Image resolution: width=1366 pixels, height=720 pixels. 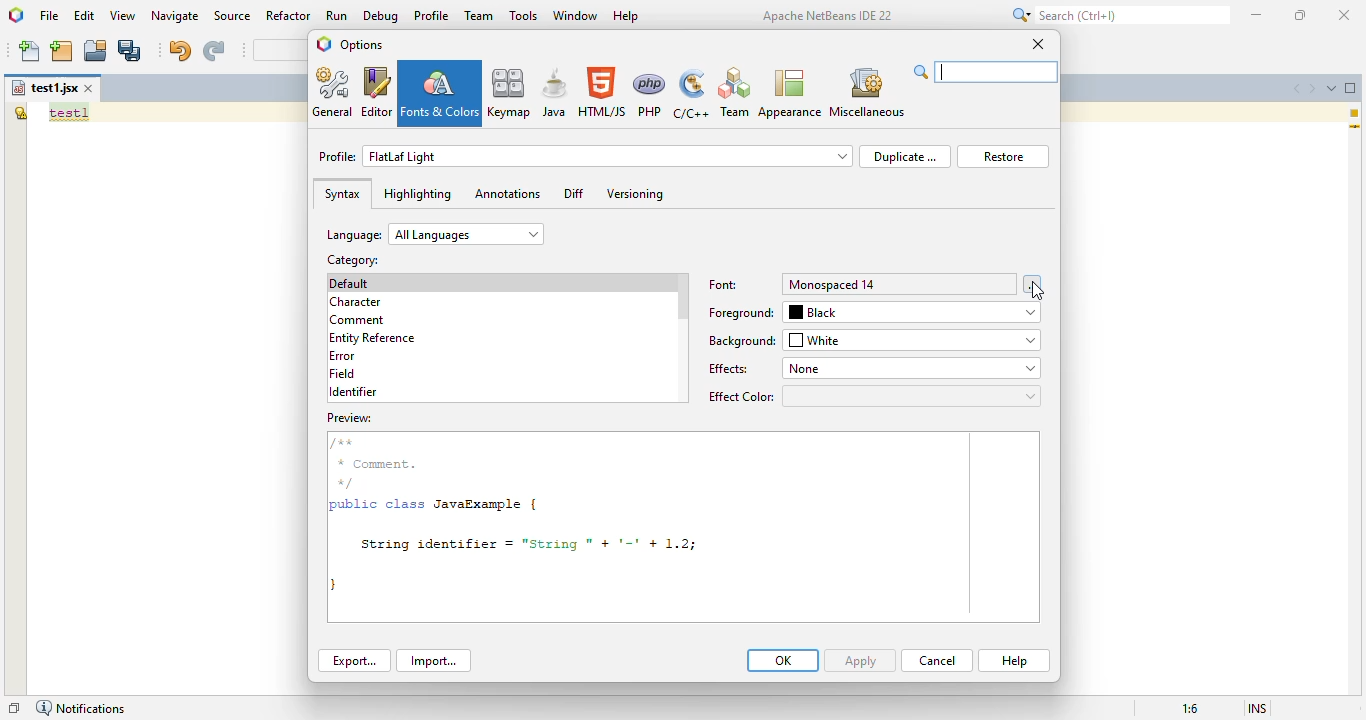 What do you see at coordinates (828, 15) in the screenshot?
I see `Apache NetBeans IDE 22` at bounding box center [828, 15].